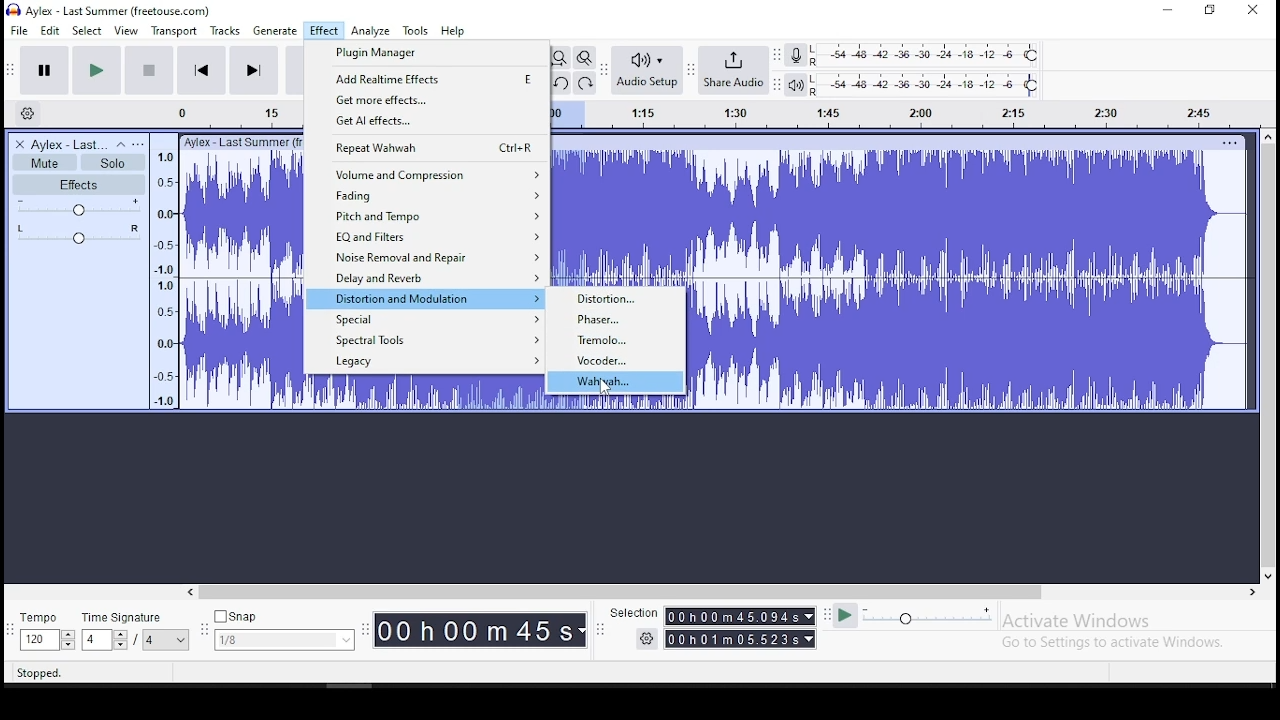  What do you see at coordinates (648, 70) in the screenshot?
I see `audio setup` at bounding box center [648, 70].